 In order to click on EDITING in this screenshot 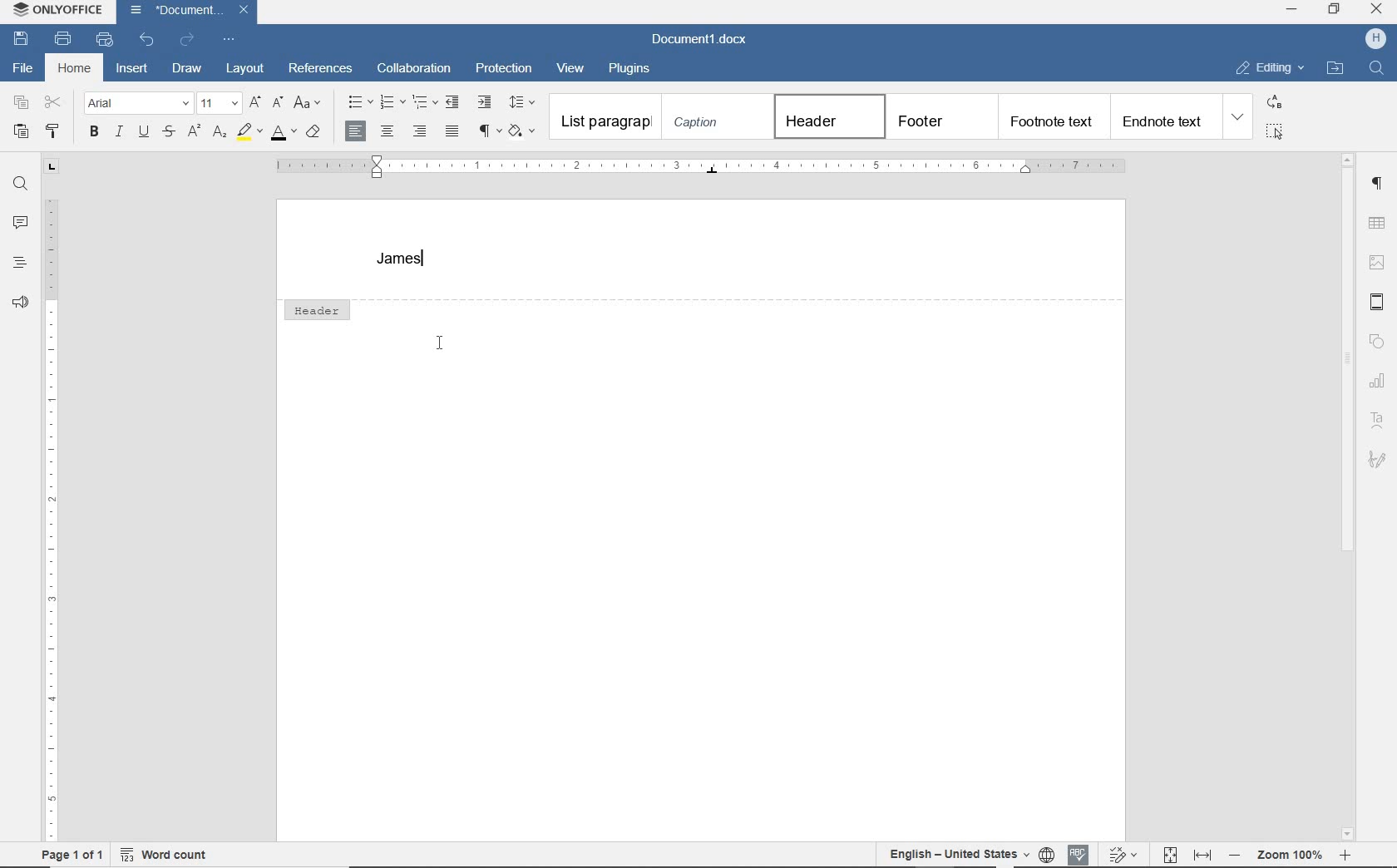, I will do `click(1269, 68)`.